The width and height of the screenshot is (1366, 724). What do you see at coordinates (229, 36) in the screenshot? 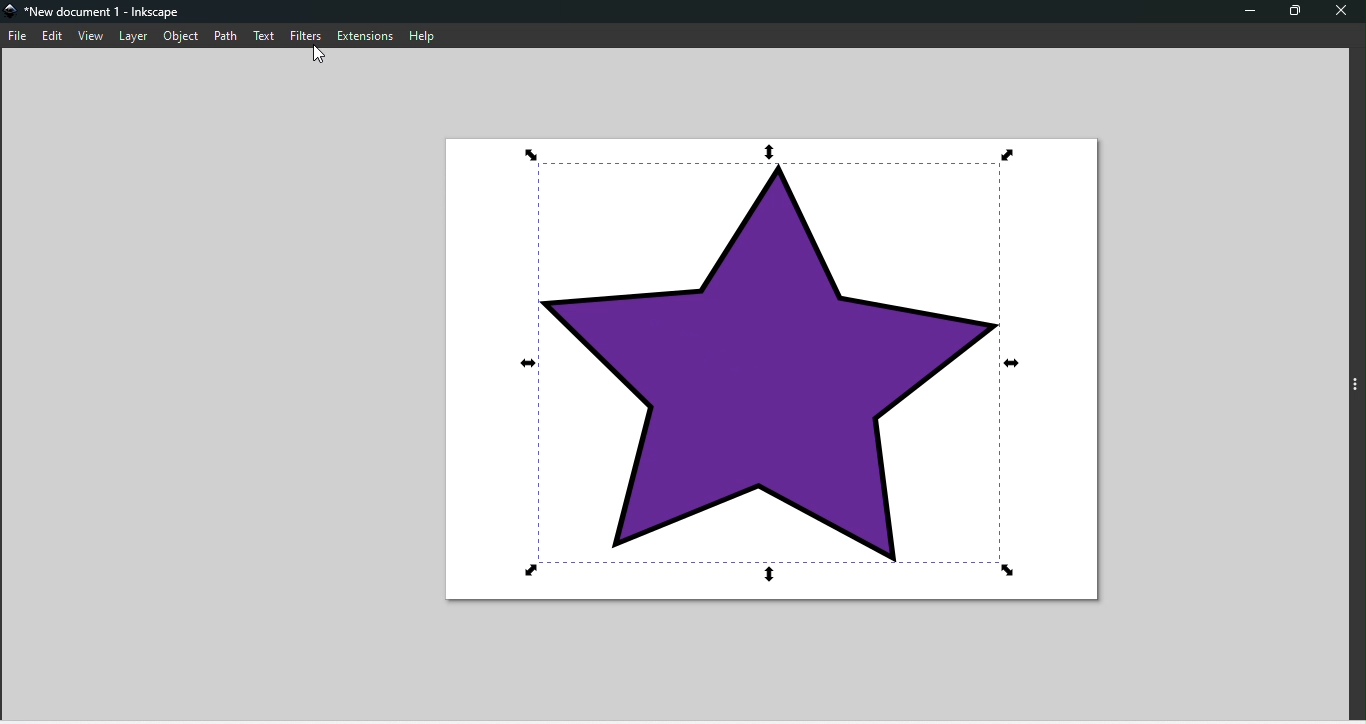
I see `Path` at bounding box center [229, 36].